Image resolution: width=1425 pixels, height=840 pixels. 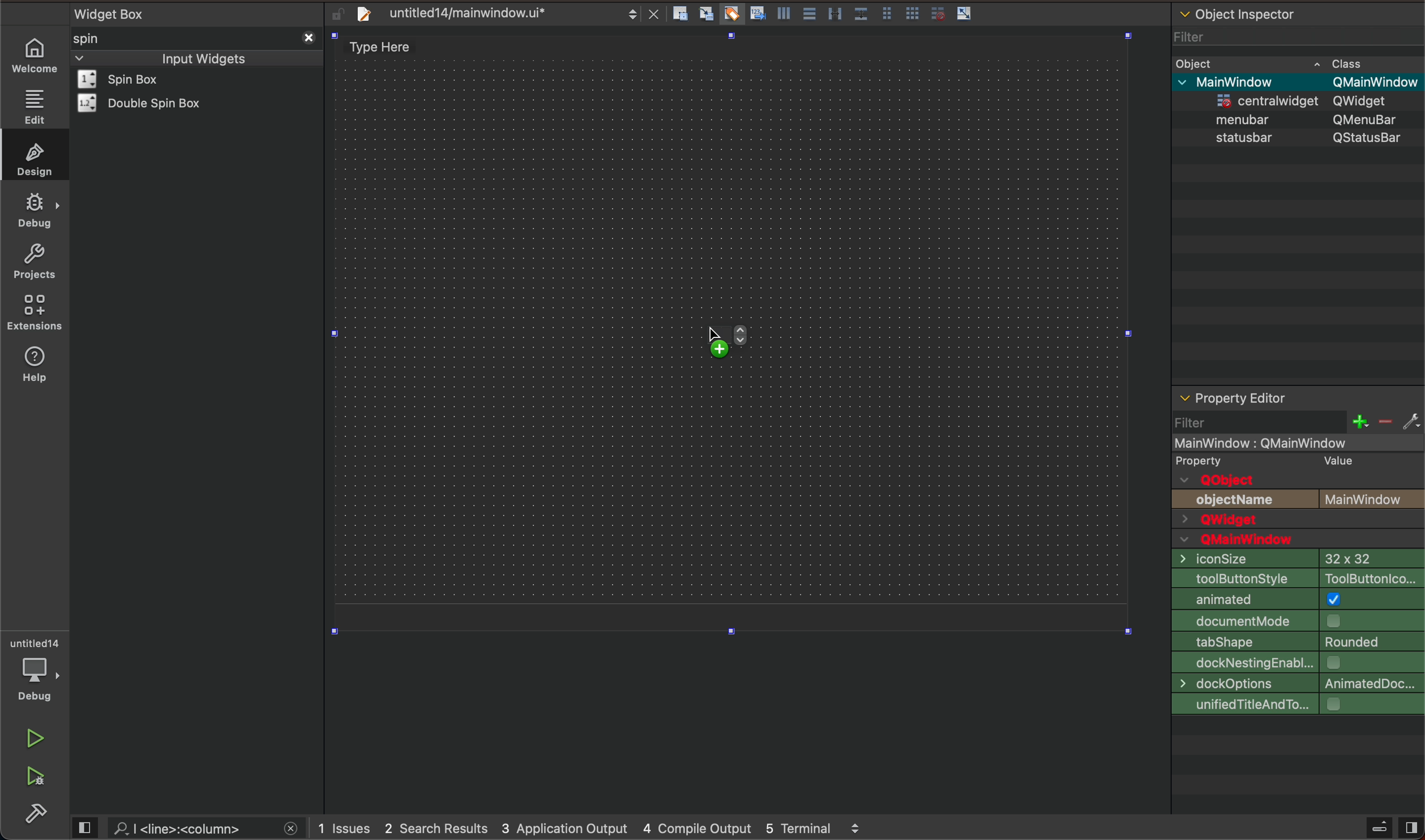 What do you see at coordinates (1253, 540) in the screenshot?
I see `text` at bounding box center [1253, 540].